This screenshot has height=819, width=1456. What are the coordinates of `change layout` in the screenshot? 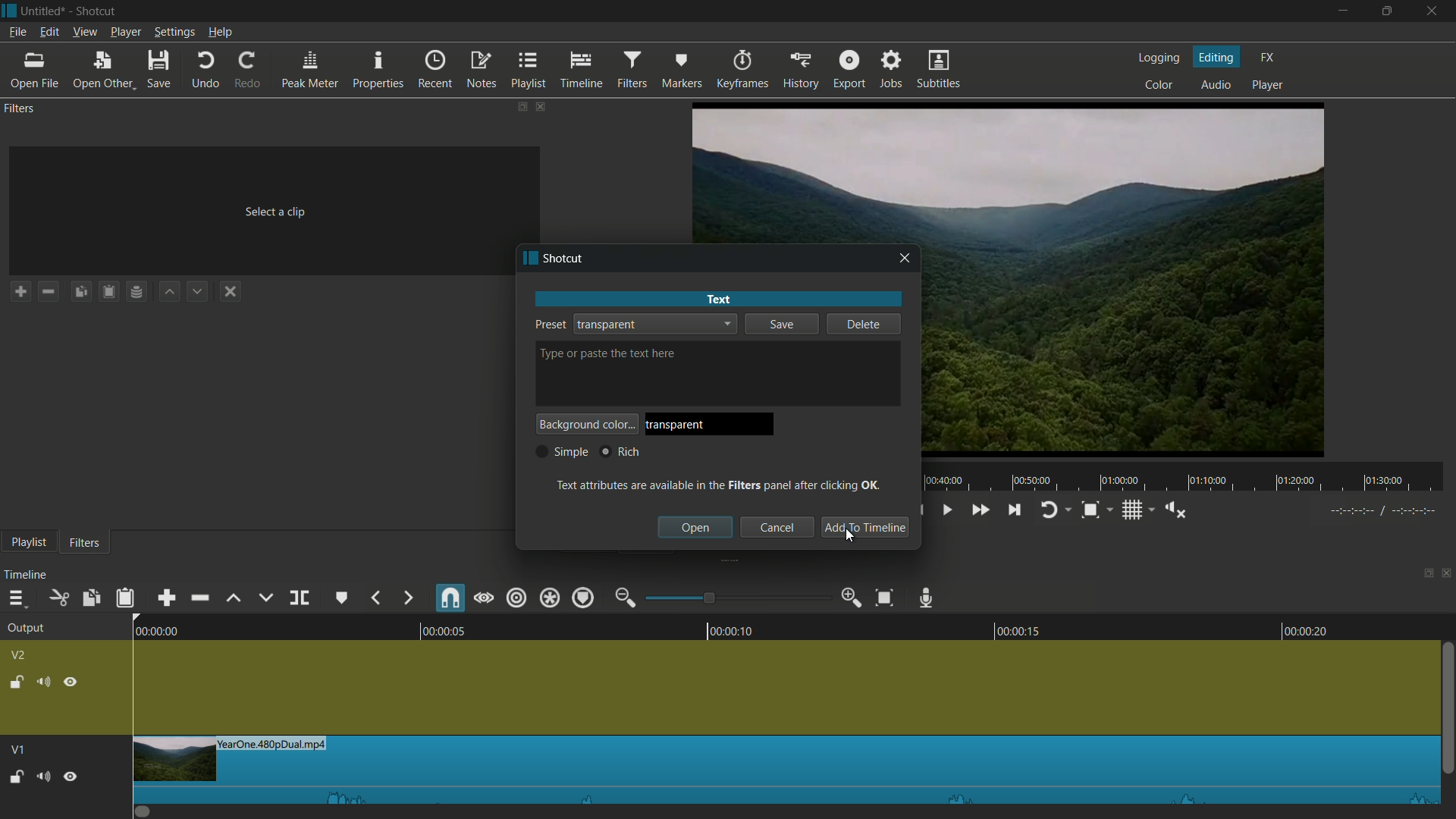 It's located at (1423, 576).